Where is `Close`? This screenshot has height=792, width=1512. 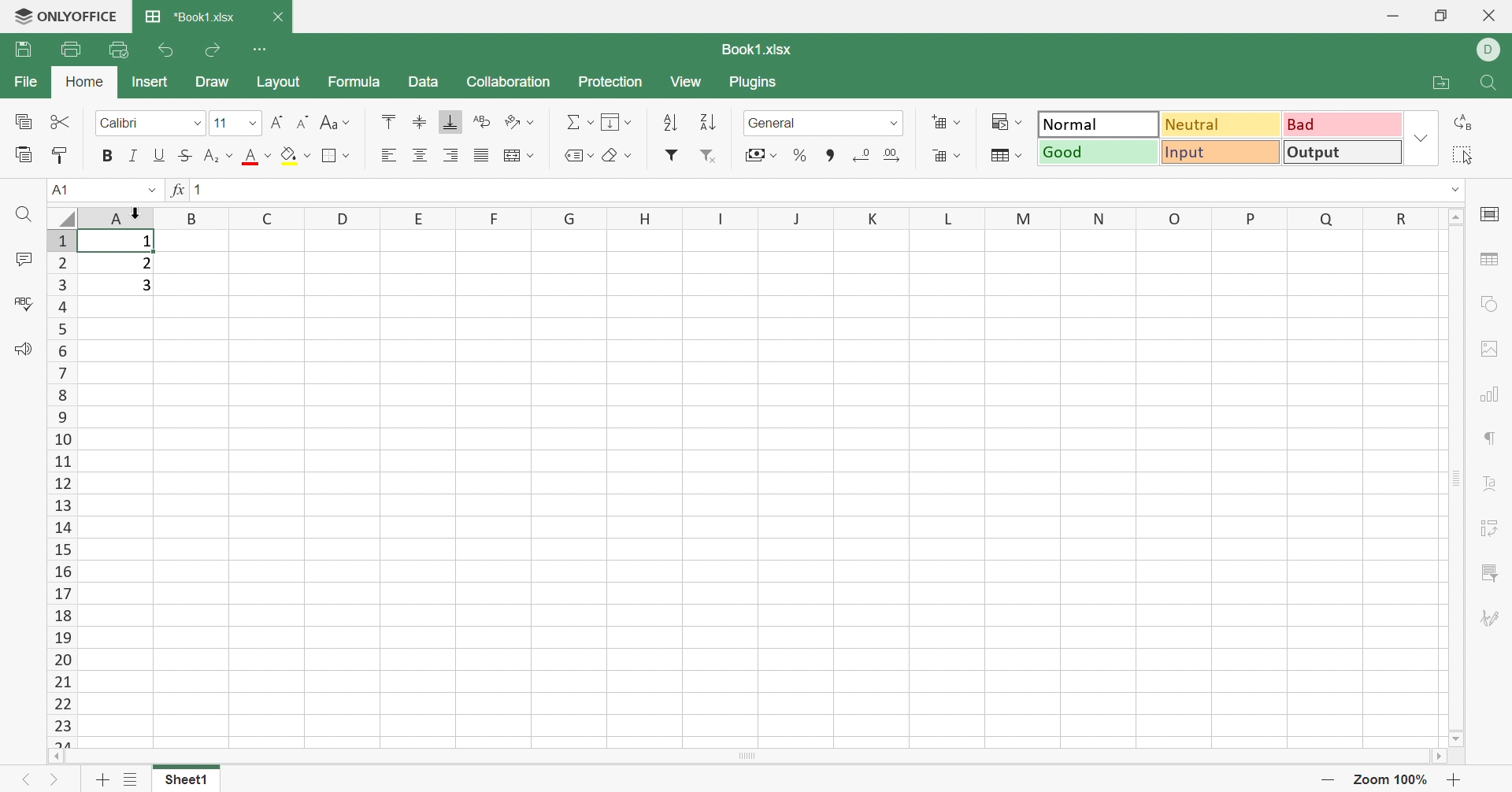
Close is located at coordinates (1491, 16).